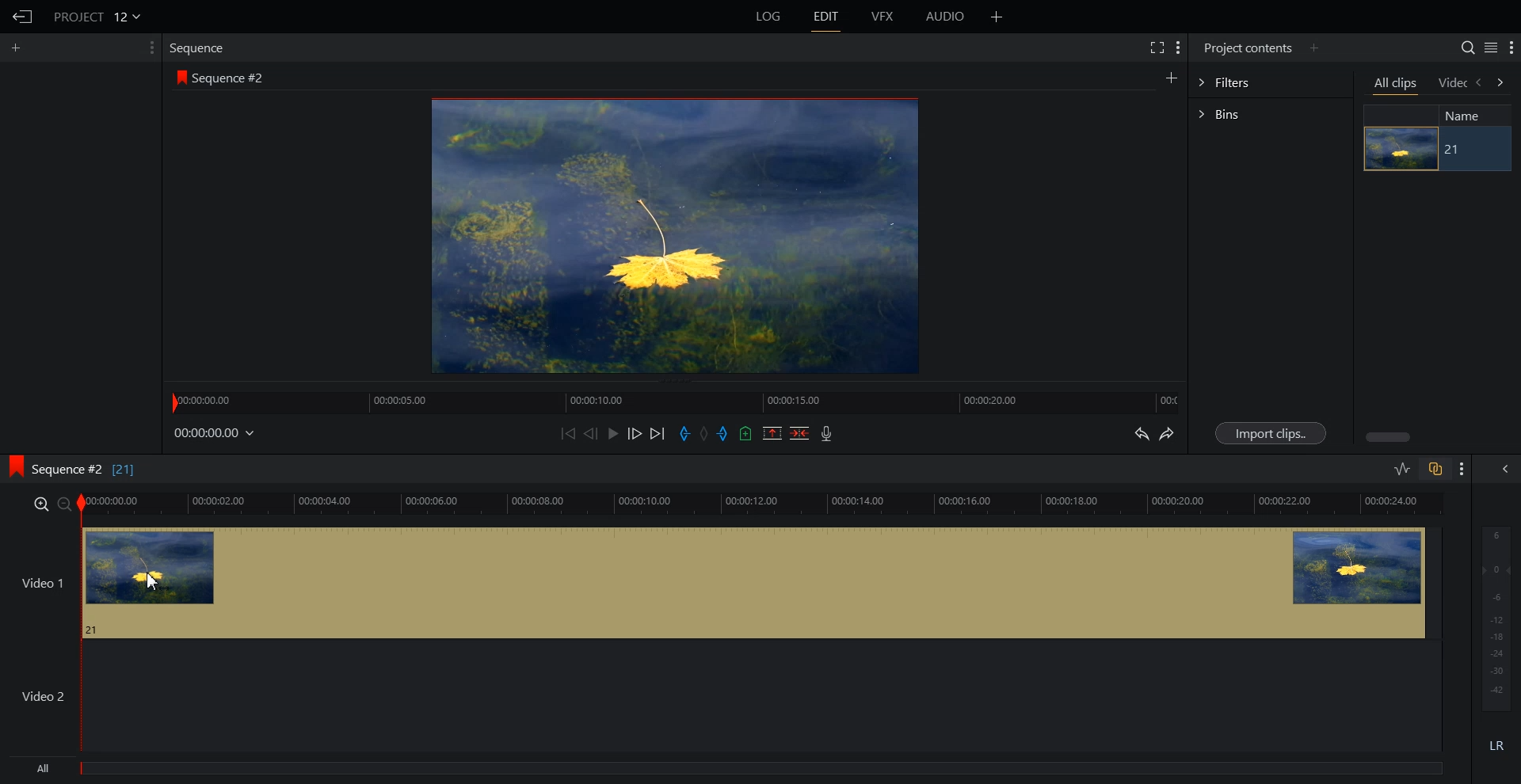 This screenshot has width=1521, height=784. Describe the element at coordinates (154, 583) in the screenshot. I see `cursor` at that location.